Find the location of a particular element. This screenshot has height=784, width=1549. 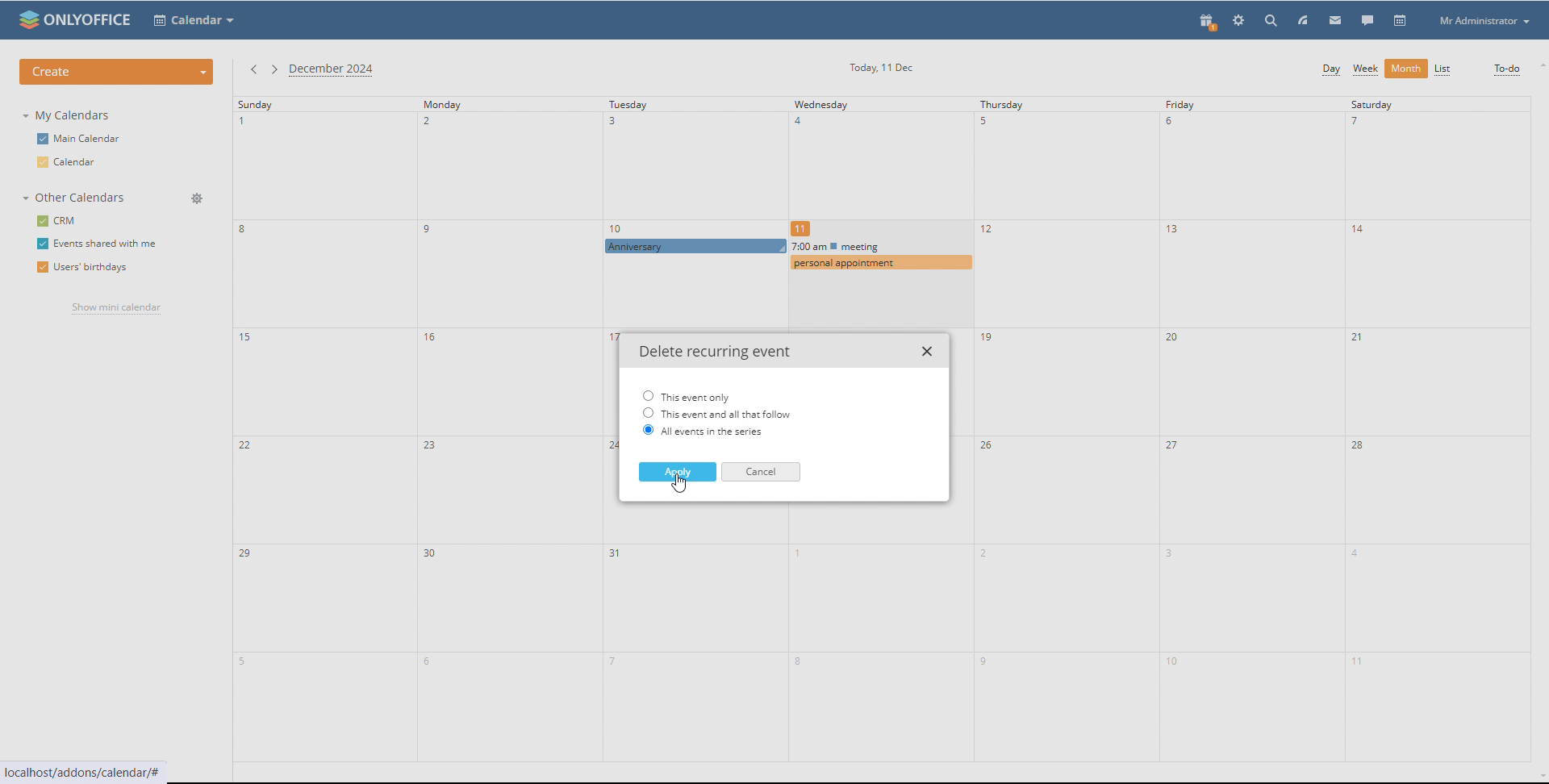

calendar is located at coordinates (75, 162).